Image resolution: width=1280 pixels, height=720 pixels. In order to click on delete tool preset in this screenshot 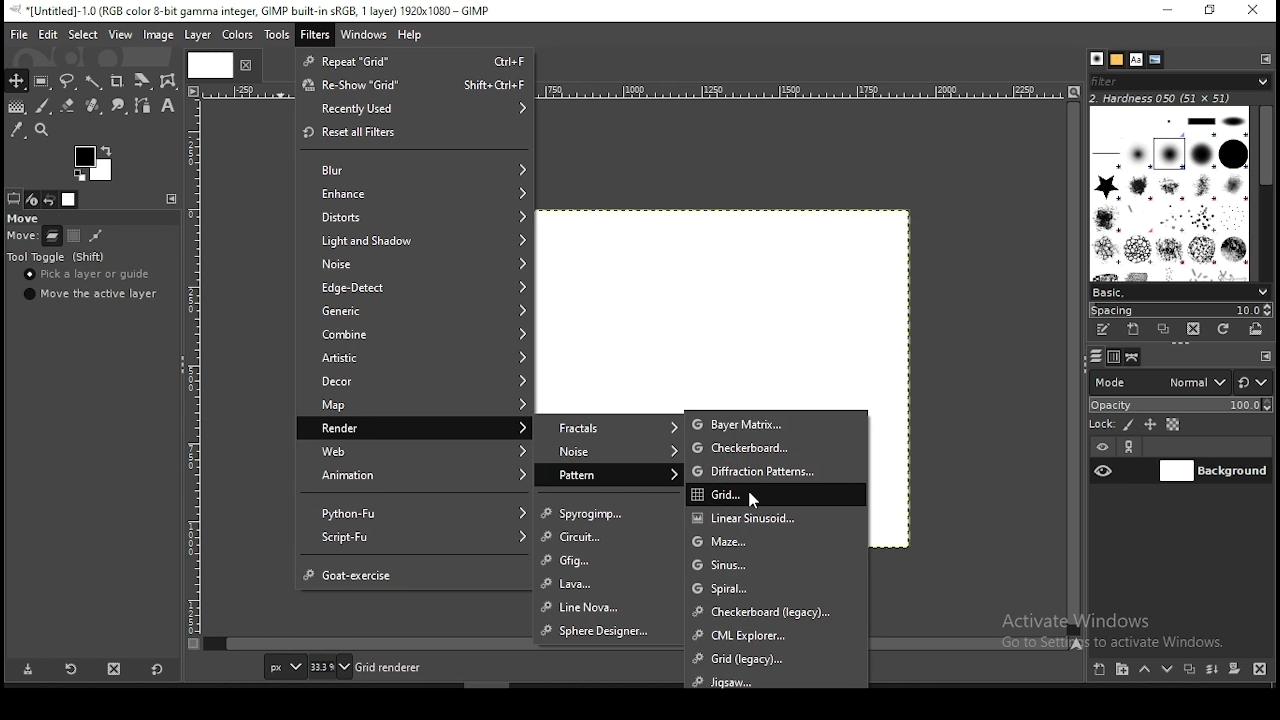, I will do `click(122, 671)`.